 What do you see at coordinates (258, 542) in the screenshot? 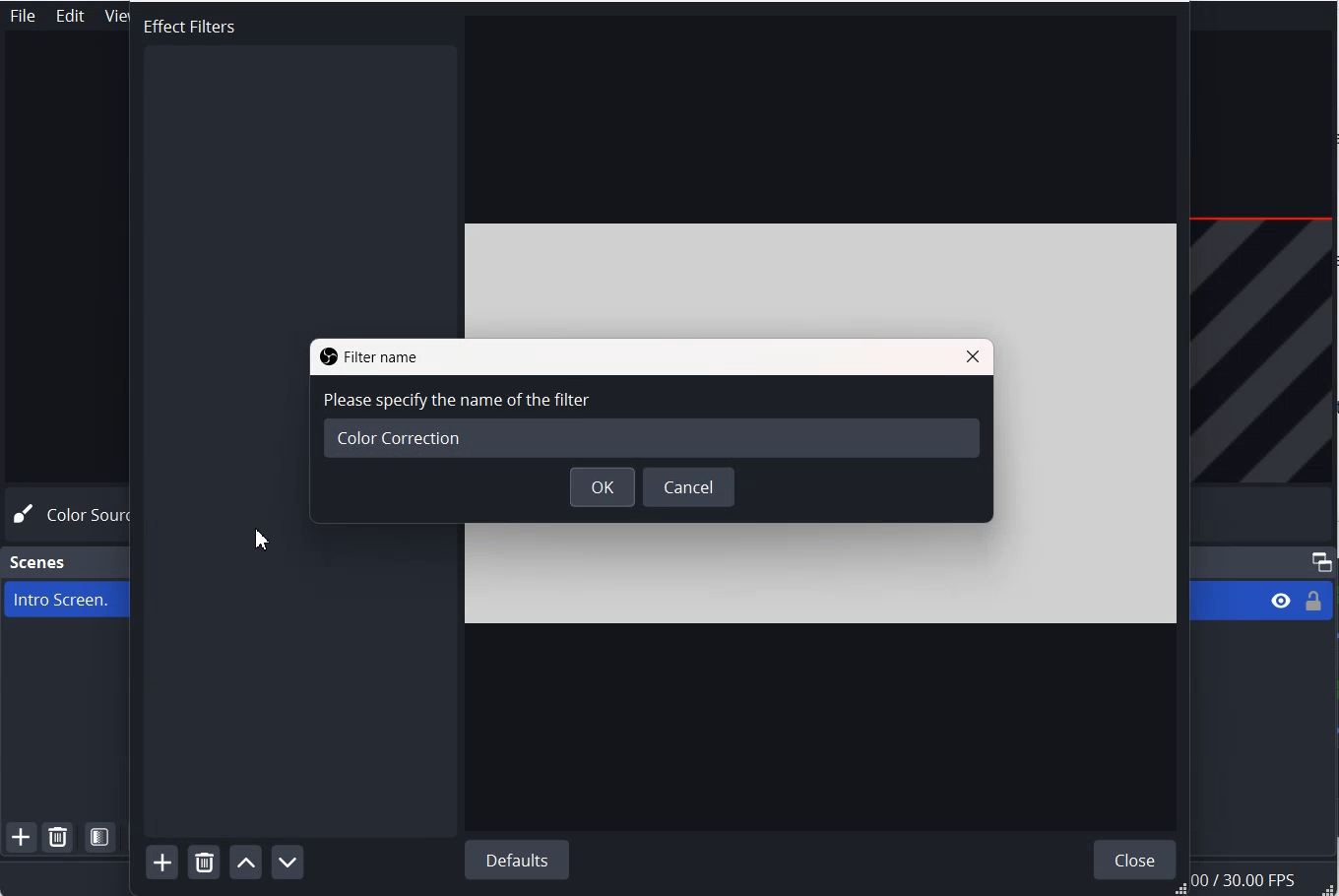
I see `Cursor` at bounding box center [258, 542].